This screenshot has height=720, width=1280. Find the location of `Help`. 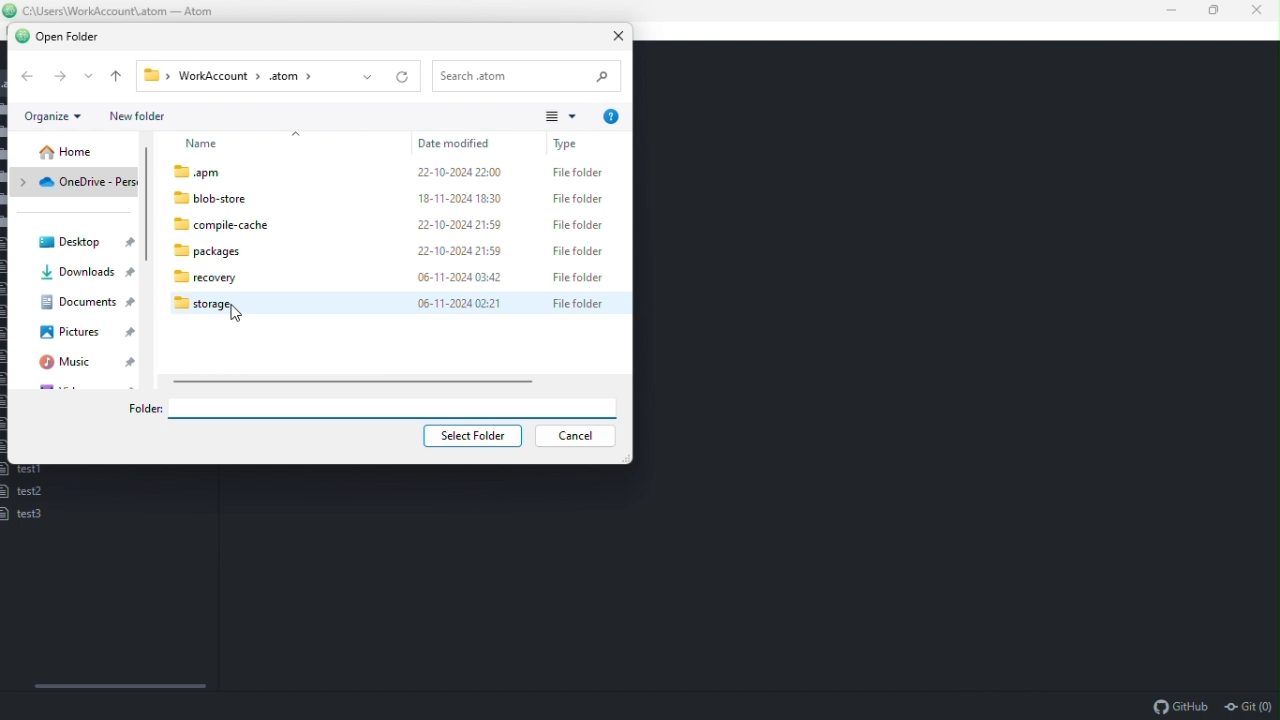

Help is located at coordinates (614, 113).